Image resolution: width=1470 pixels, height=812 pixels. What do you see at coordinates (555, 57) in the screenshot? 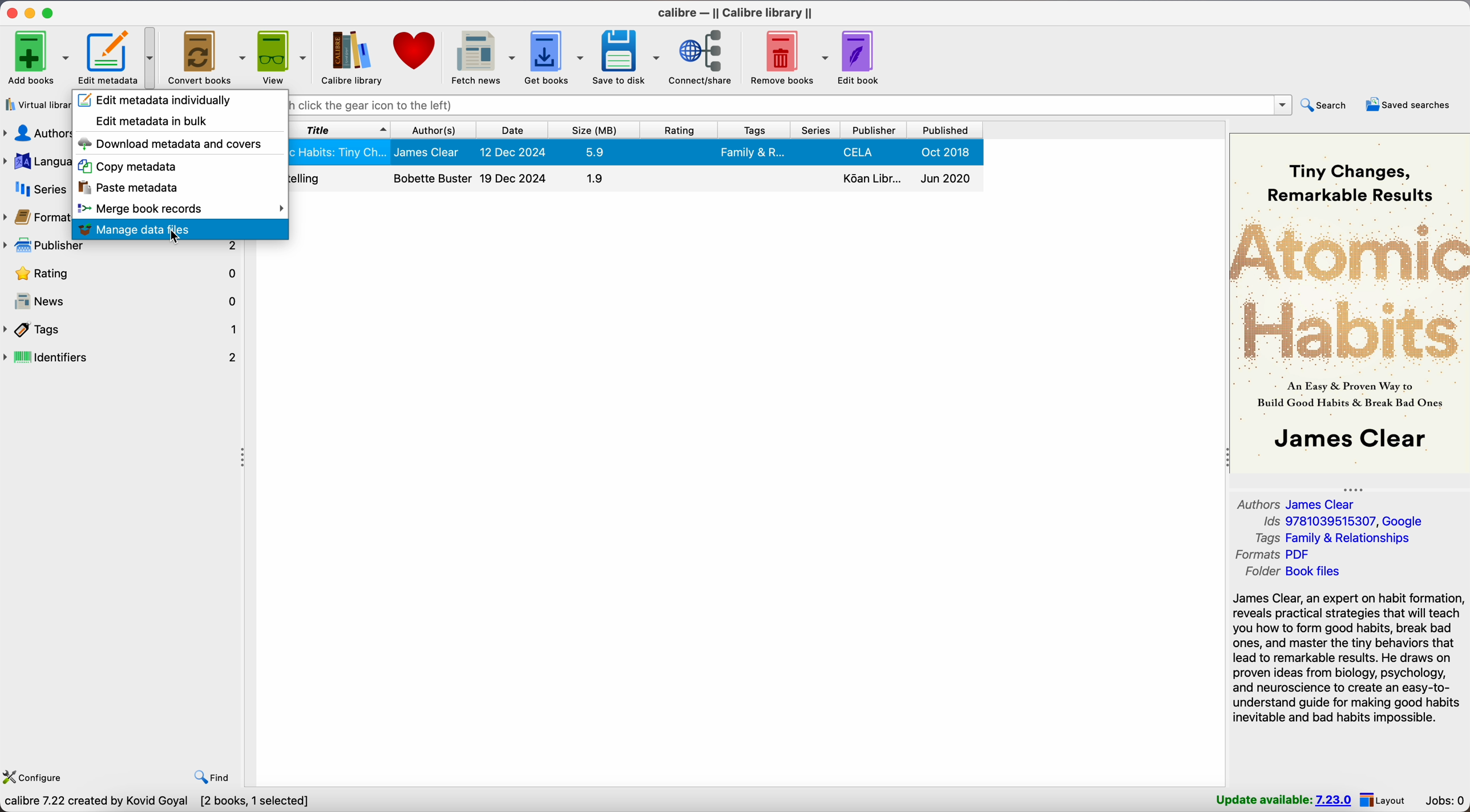
I see `get books` at bounding box center [555, 57].